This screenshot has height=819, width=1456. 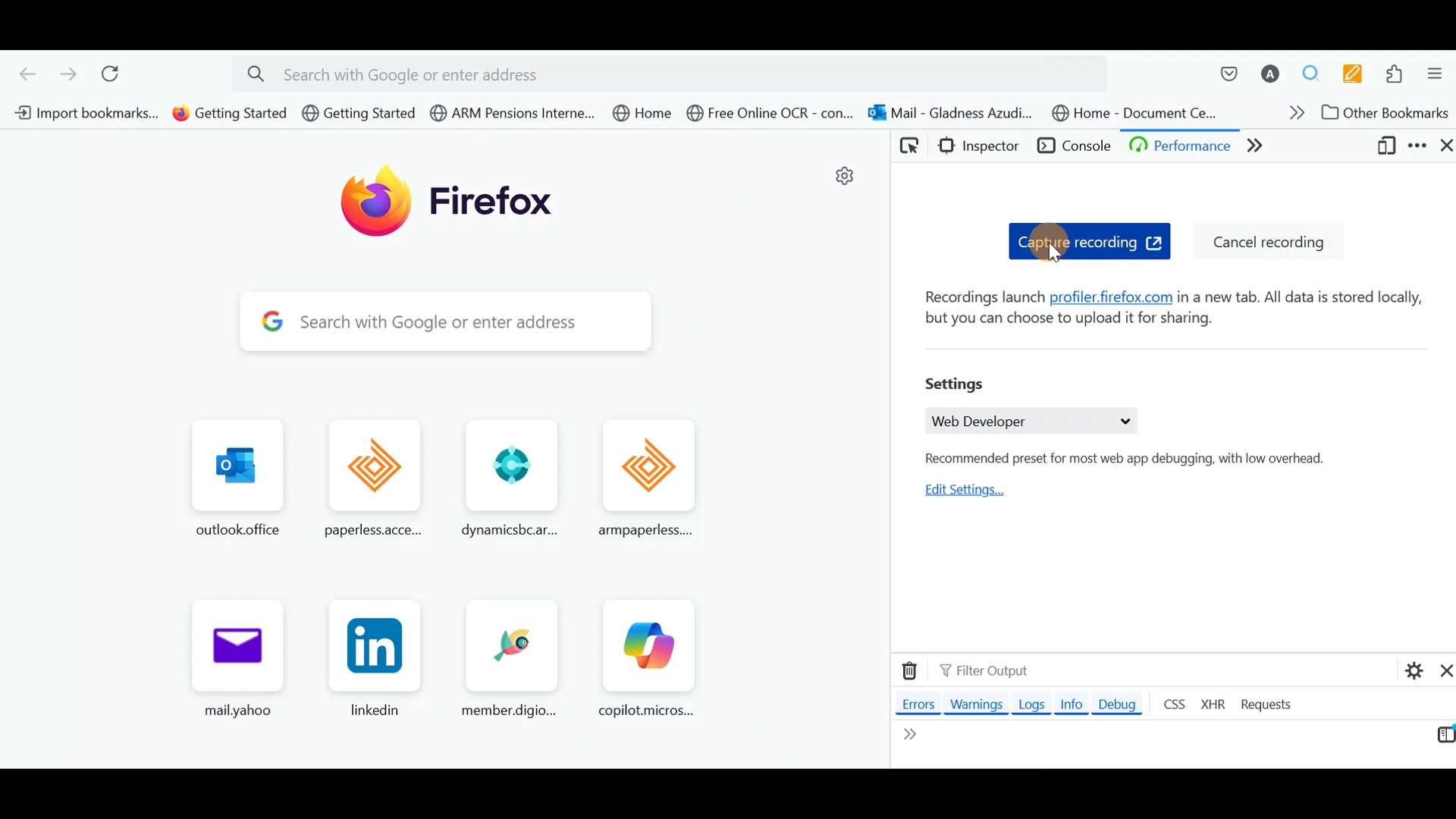 What do you see at coordinates (912, 672) in the screenshot?
I see `Clear web console output` at bounding box center [912, 672].